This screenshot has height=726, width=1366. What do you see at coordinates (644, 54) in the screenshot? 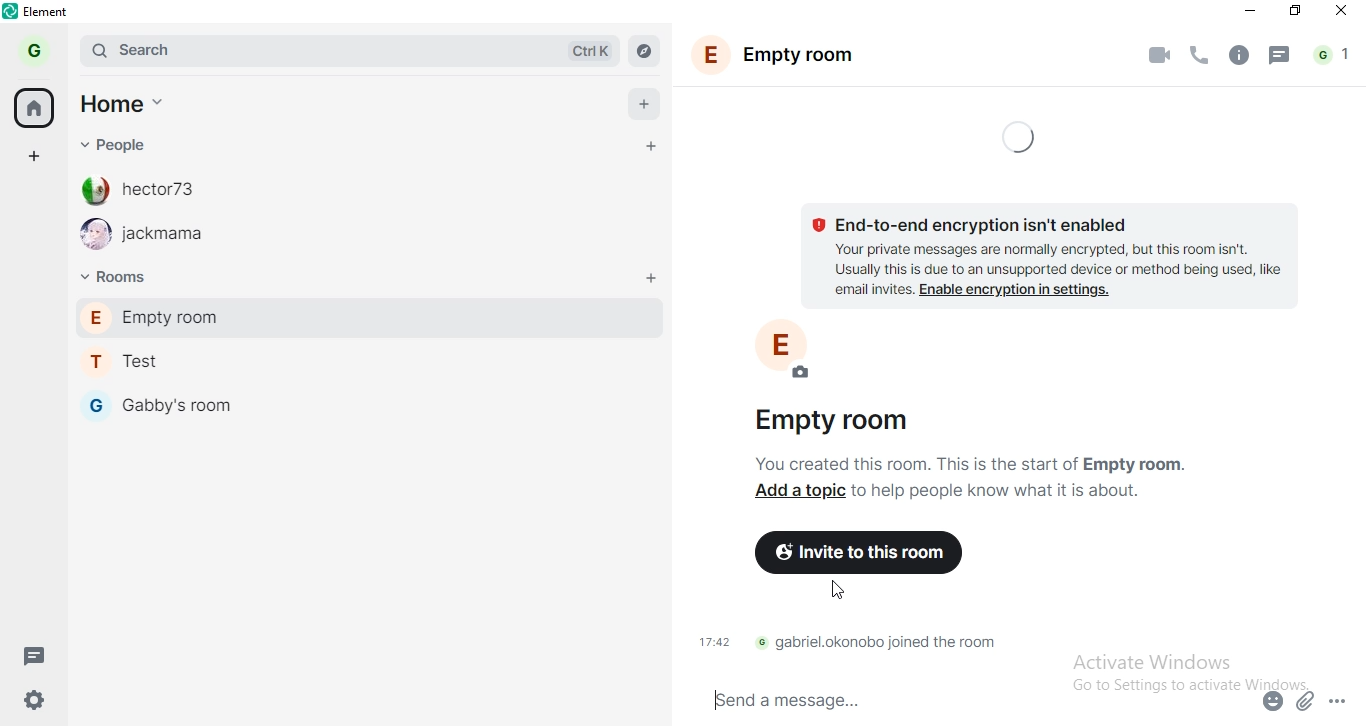
I see `navigate` at bounding box center [644, 54].